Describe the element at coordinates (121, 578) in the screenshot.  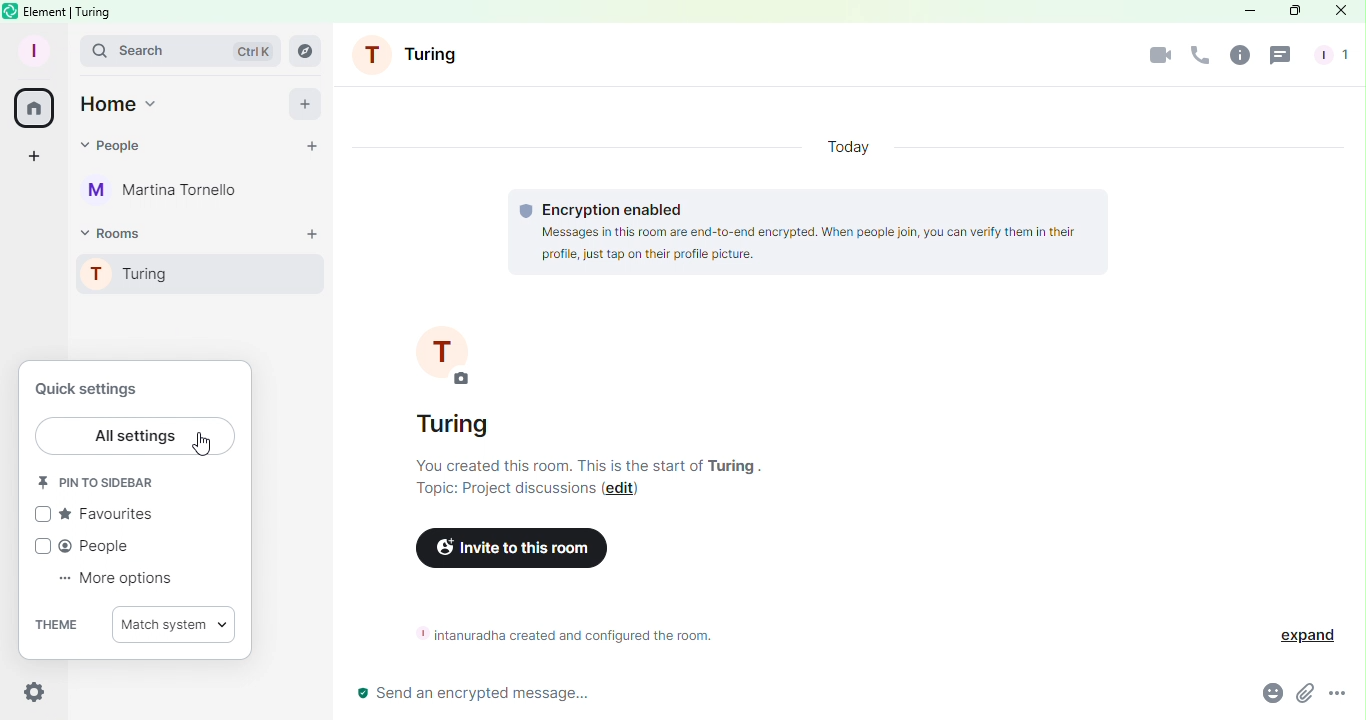
I see `More options` at that location.